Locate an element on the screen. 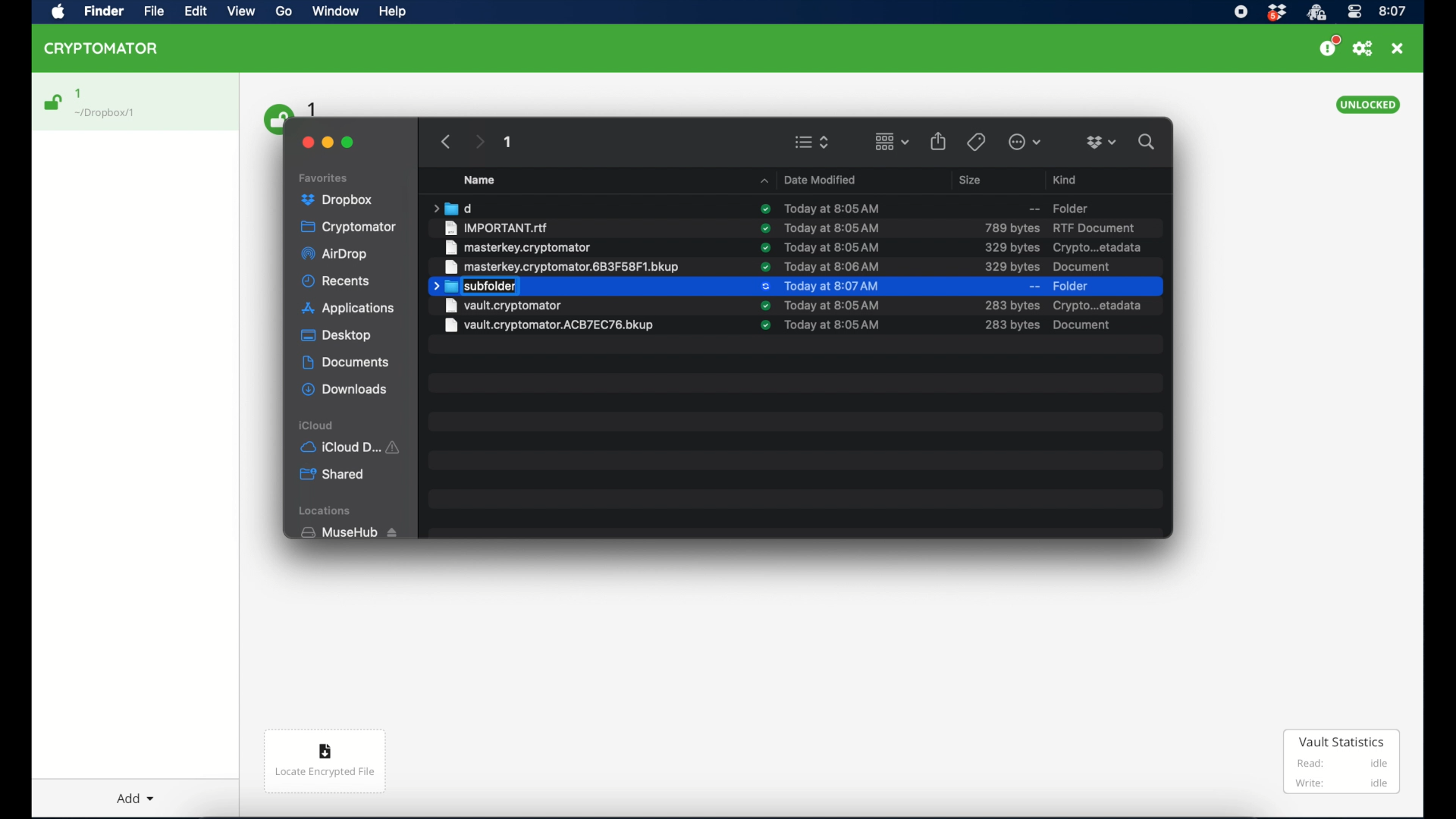 This screenshot has width=1456, height=819. search is located at coordinates (1147, 140).